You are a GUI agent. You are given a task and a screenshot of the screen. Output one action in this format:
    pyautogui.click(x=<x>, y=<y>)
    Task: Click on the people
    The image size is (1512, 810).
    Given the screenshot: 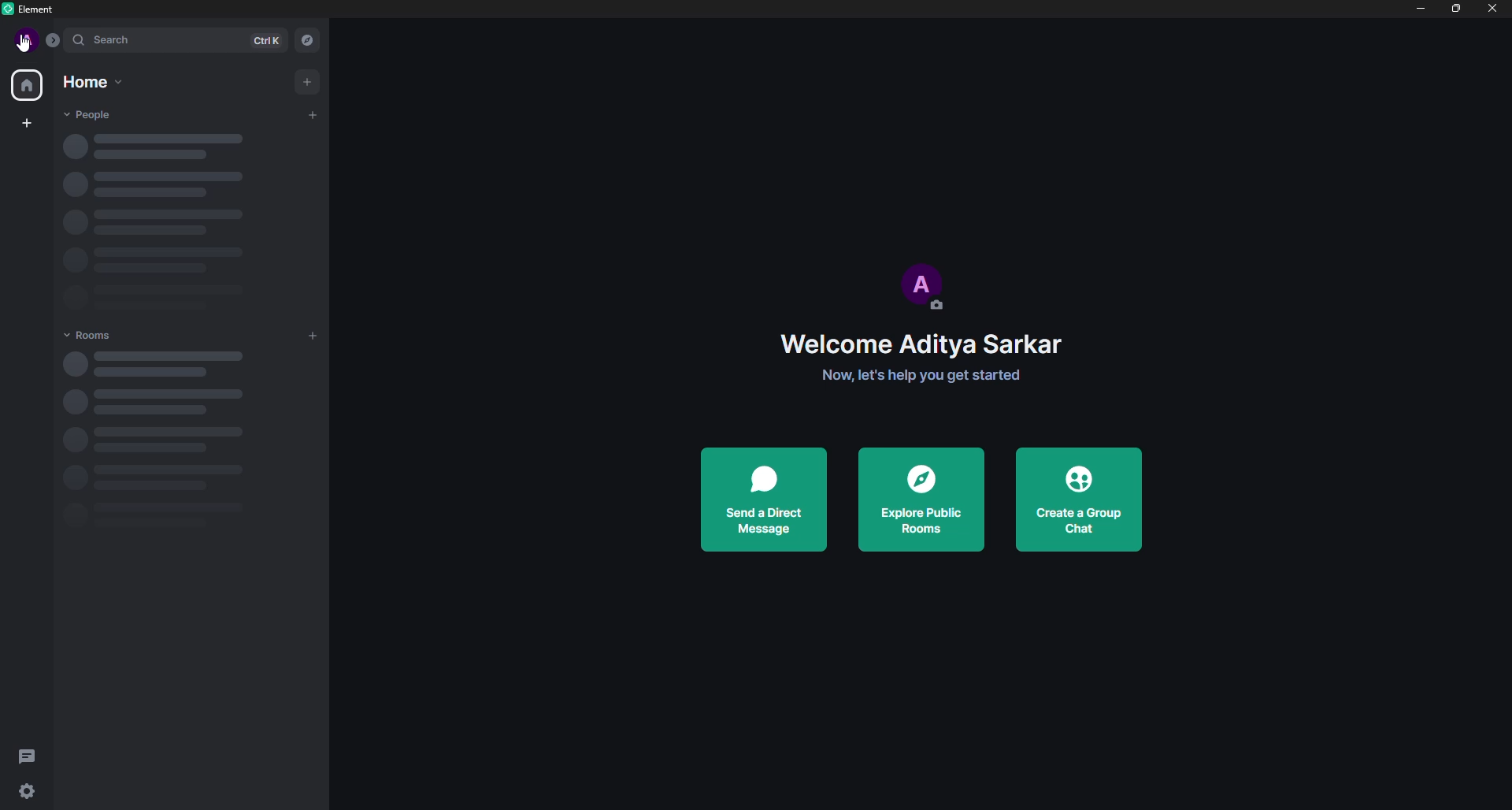 What is the action you would take?
    pyautogui.click(x=88, y=114)
    